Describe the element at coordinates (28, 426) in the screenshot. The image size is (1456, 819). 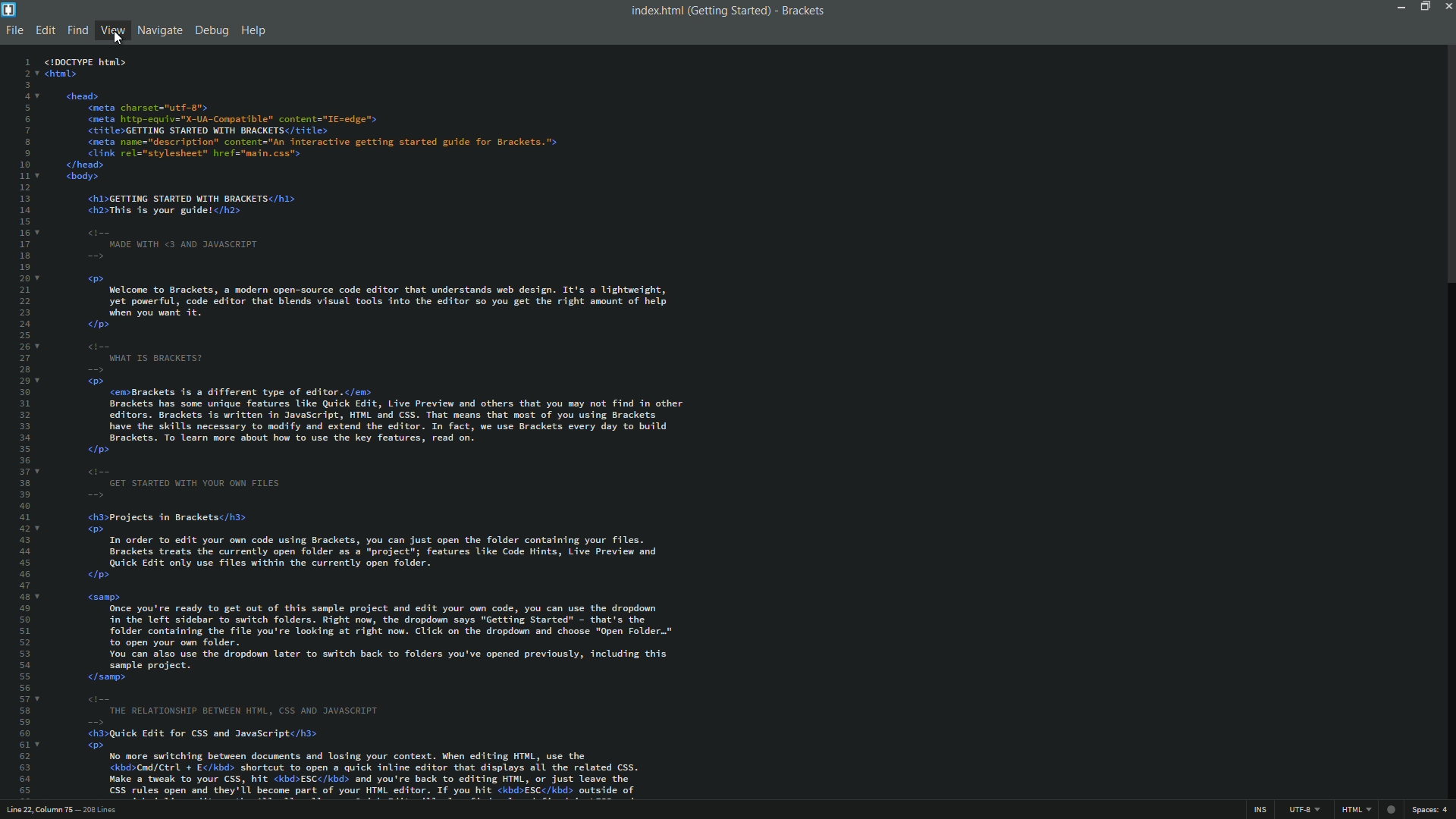
I see `Numbering line` at that location.